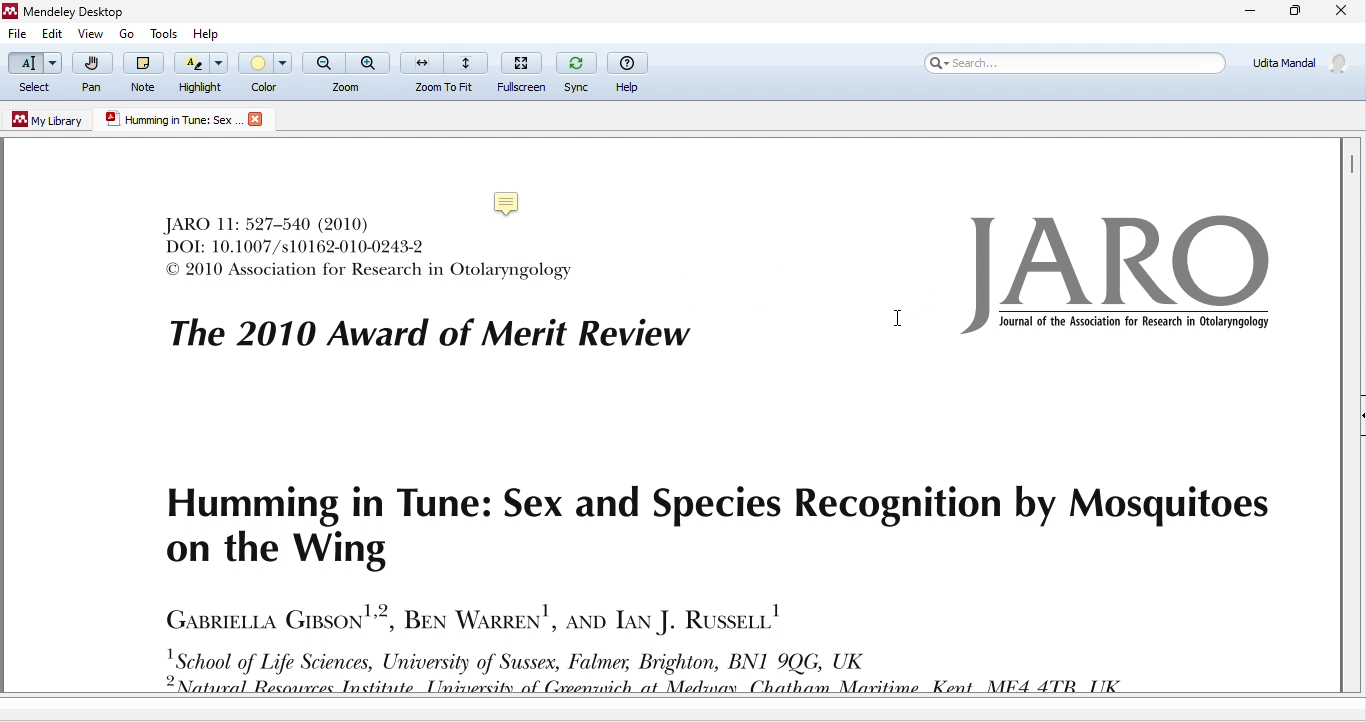 The image size is (1366, 722). I want to click on zoom, so click(345, 73).